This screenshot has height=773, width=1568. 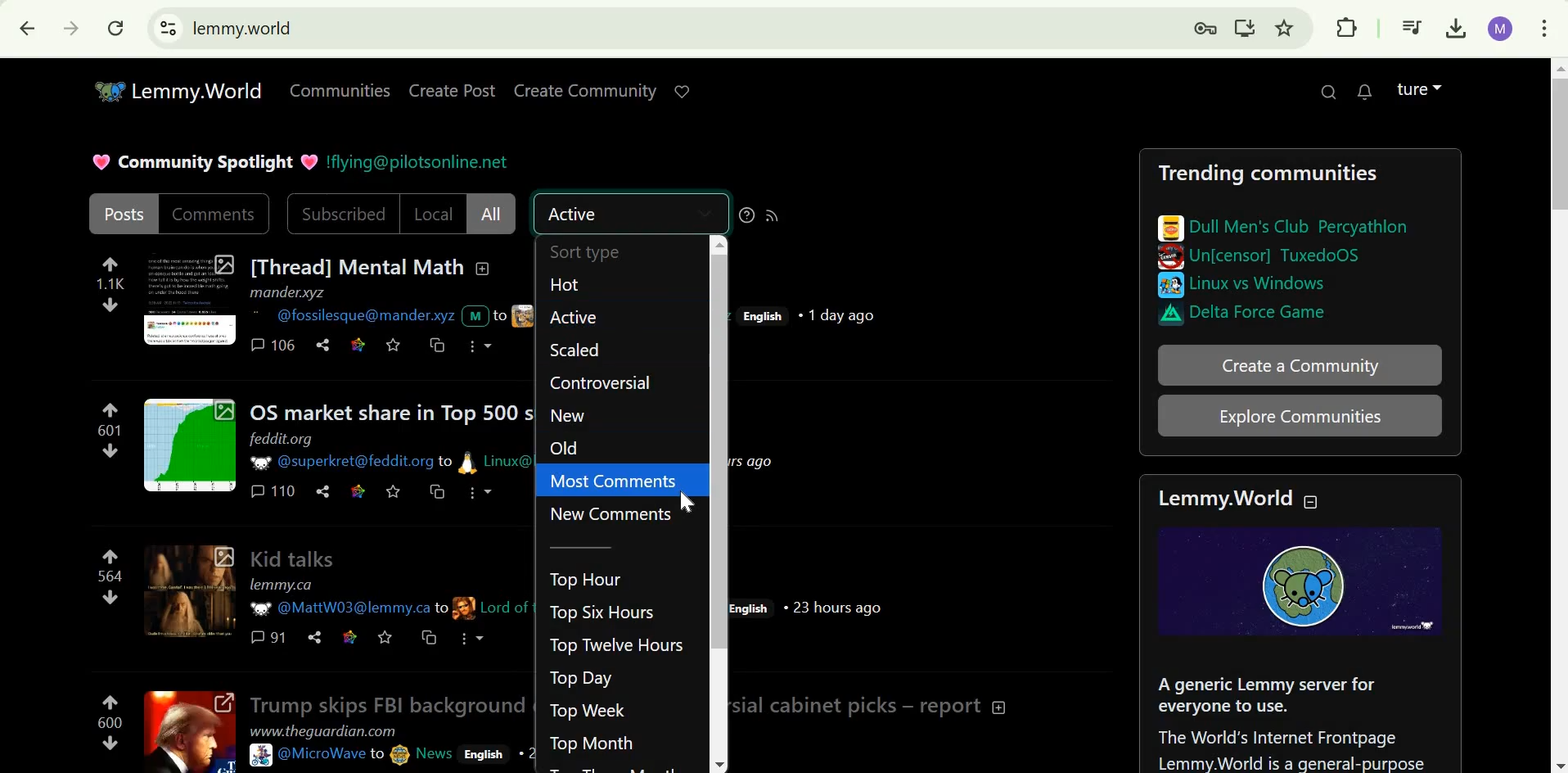 What do you see at coordinates (123, 214) in the screenshot?
I see `Posts` at bounding box center [123, 214].